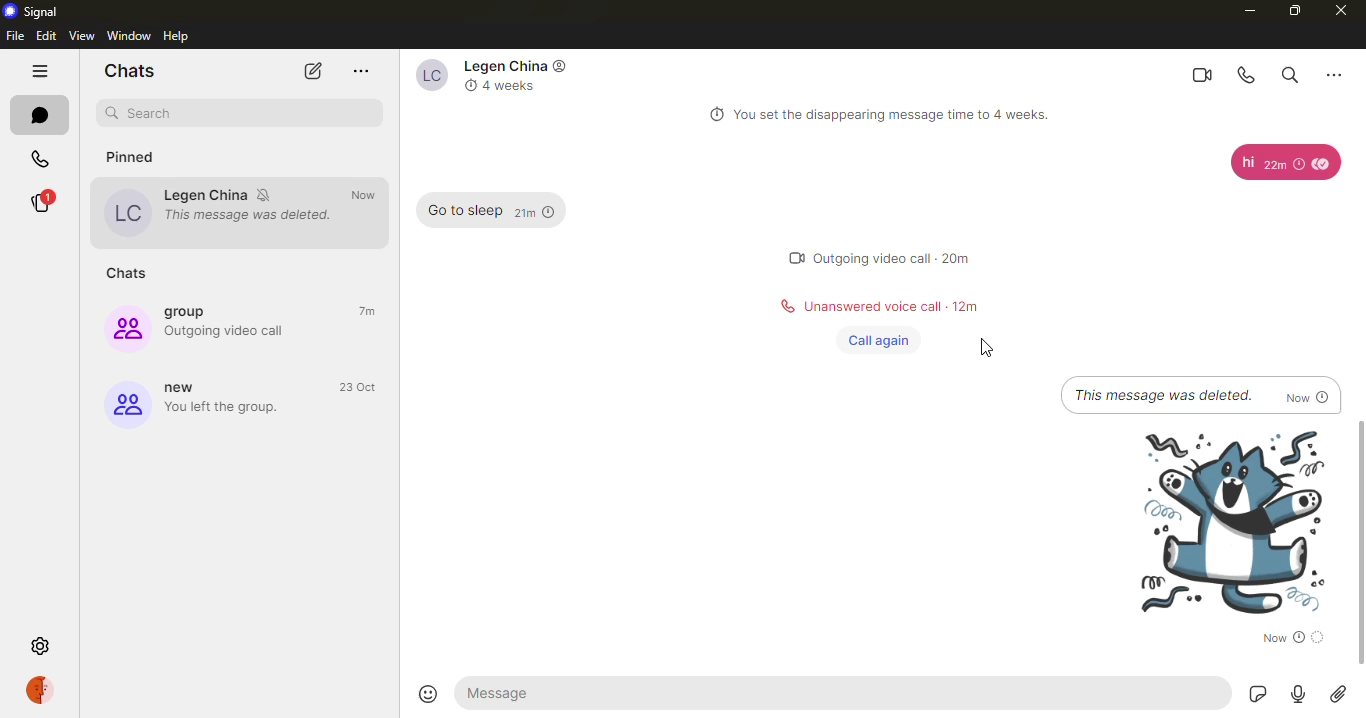  Describe the element at coordinates (556, 211) in the screenshot. I see `time logo` at that location.